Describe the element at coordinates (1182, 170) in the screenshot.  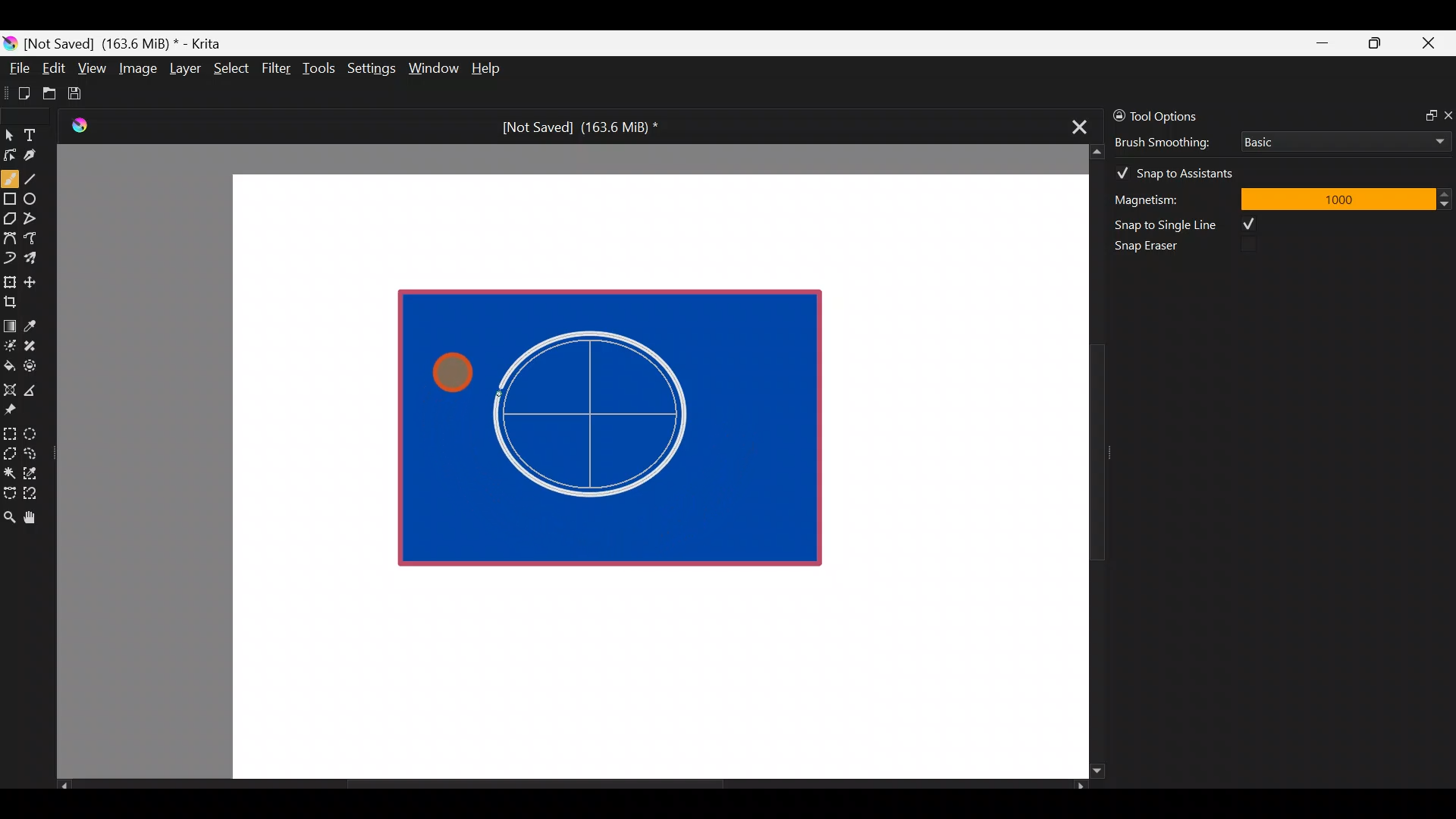
I see `Snap to assistants` at that location.